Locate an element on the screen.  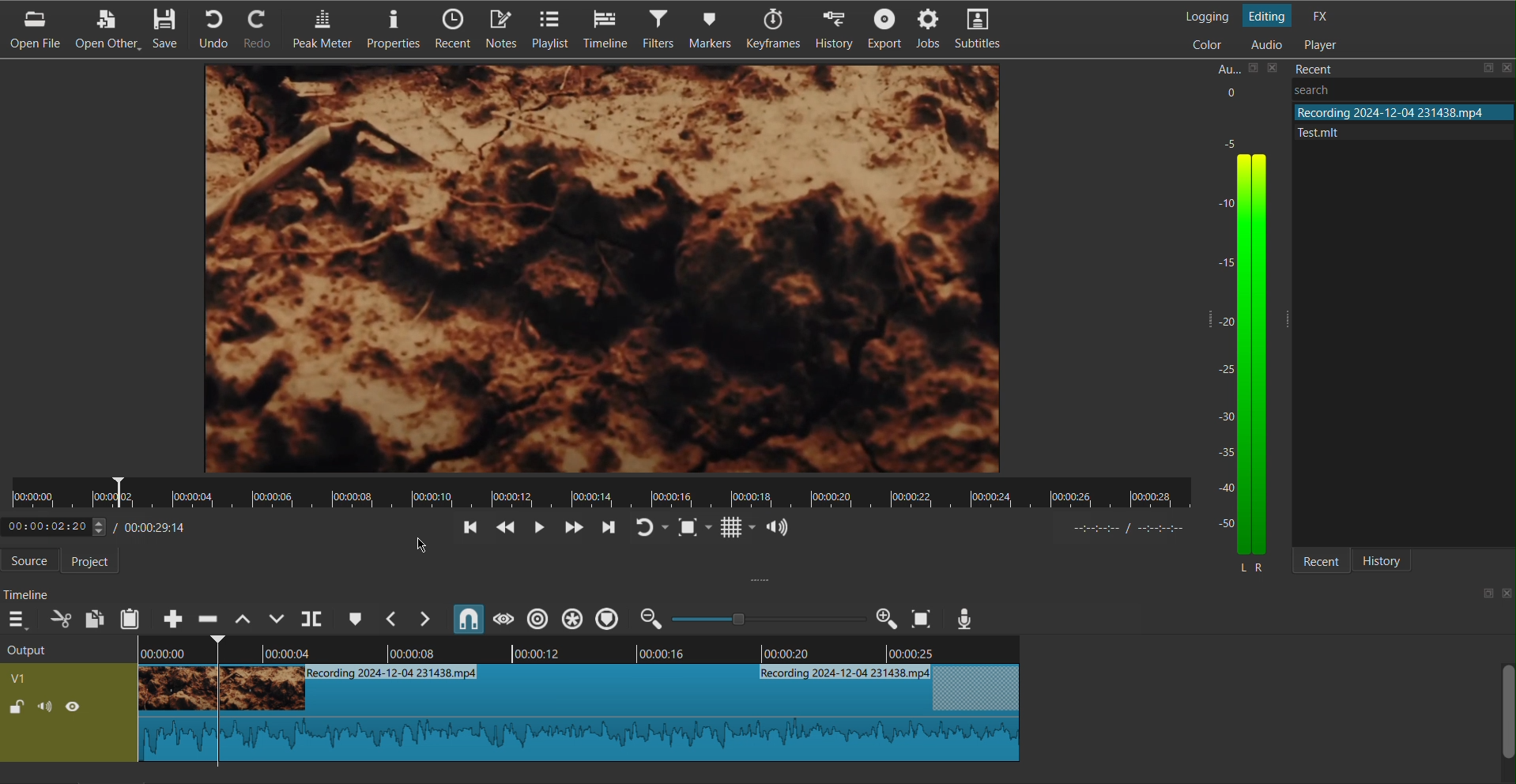
Recent Files is located at coordinates (1376, 67).